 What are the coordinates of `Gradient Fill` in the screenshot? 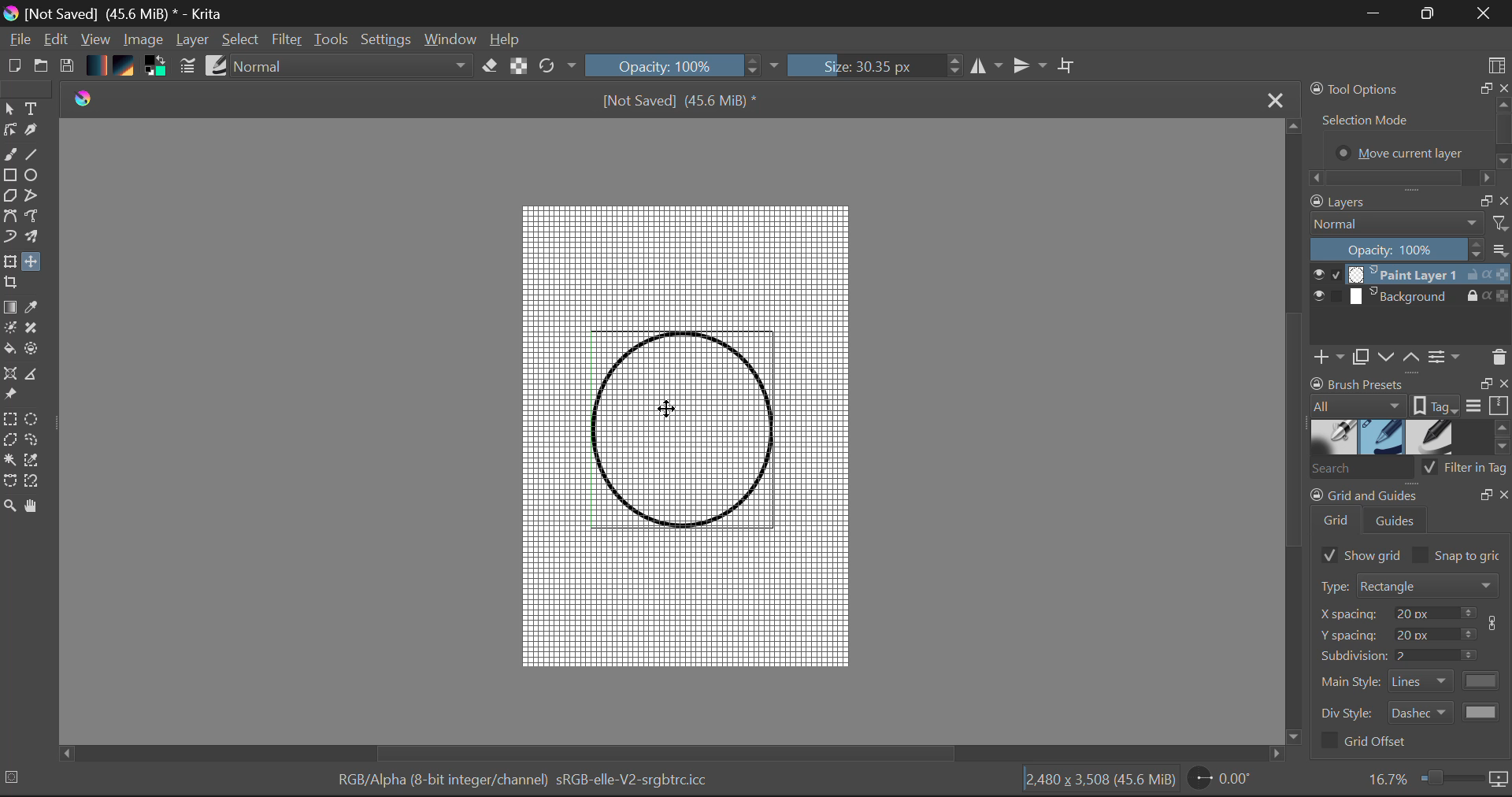 It's located at (10, 306).